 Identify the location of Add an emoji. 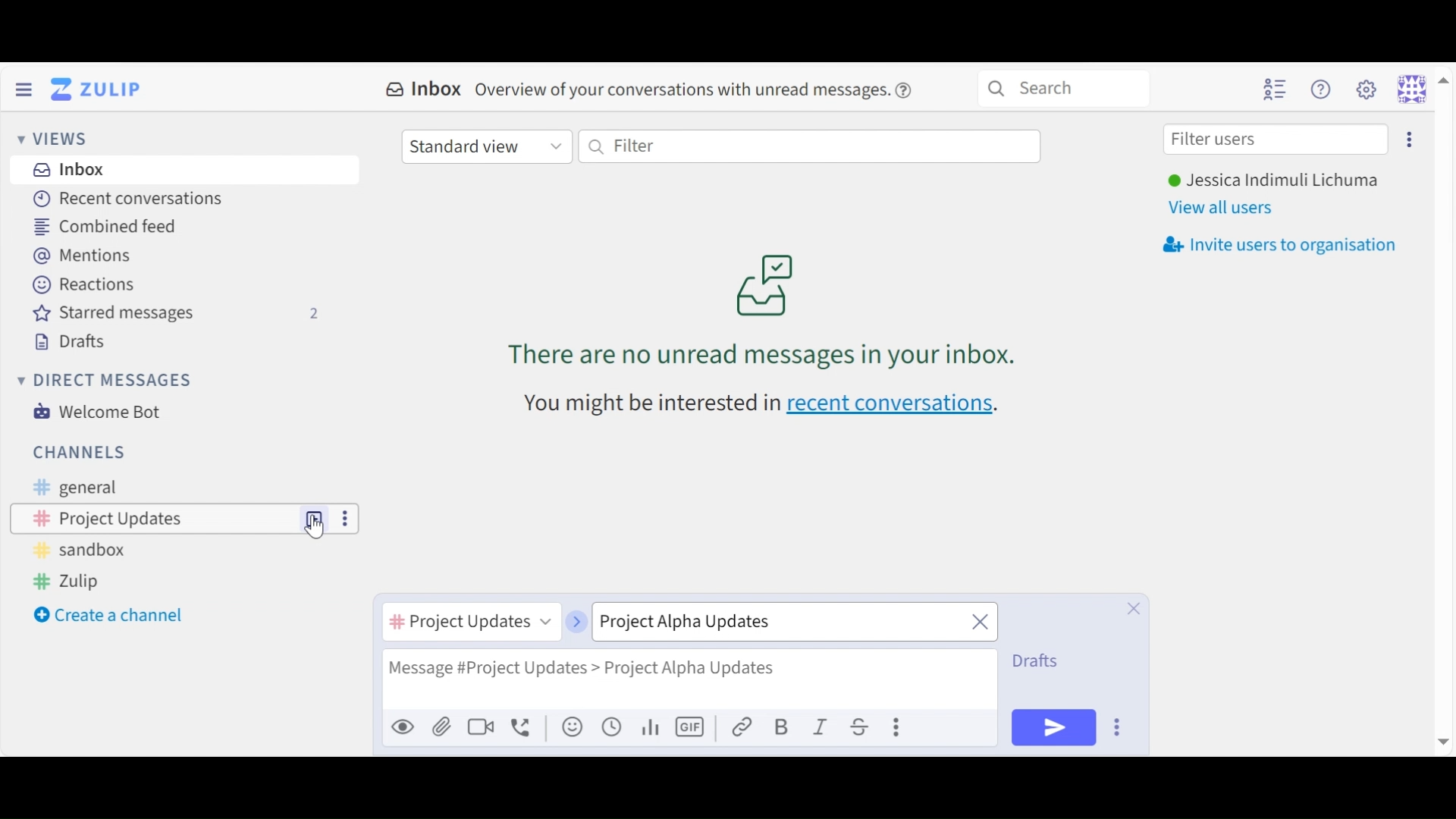
(573, 727).